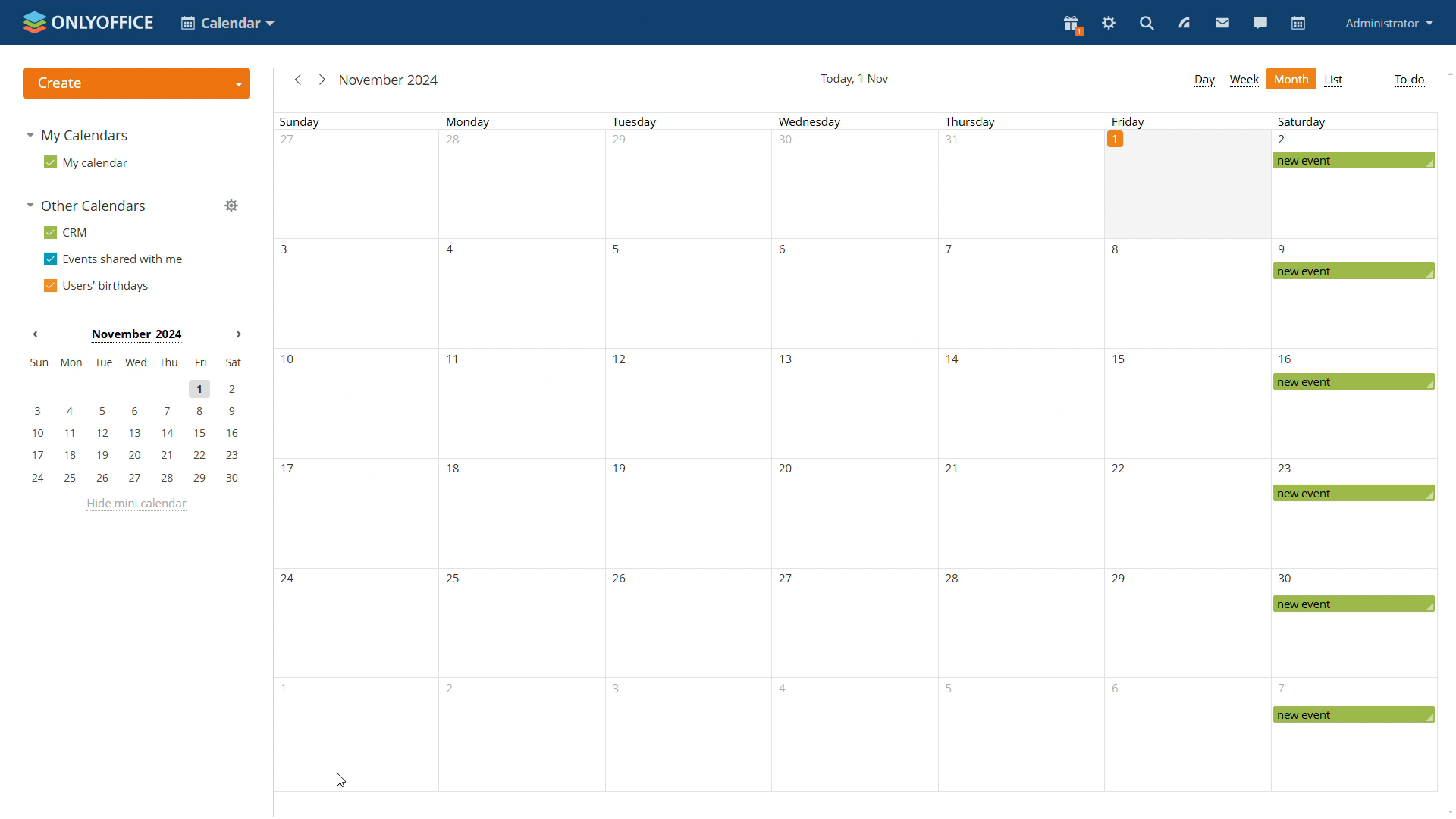  Describe the element at coordinates (1188, 121) in the screenshot. I see `Friday` at that location.